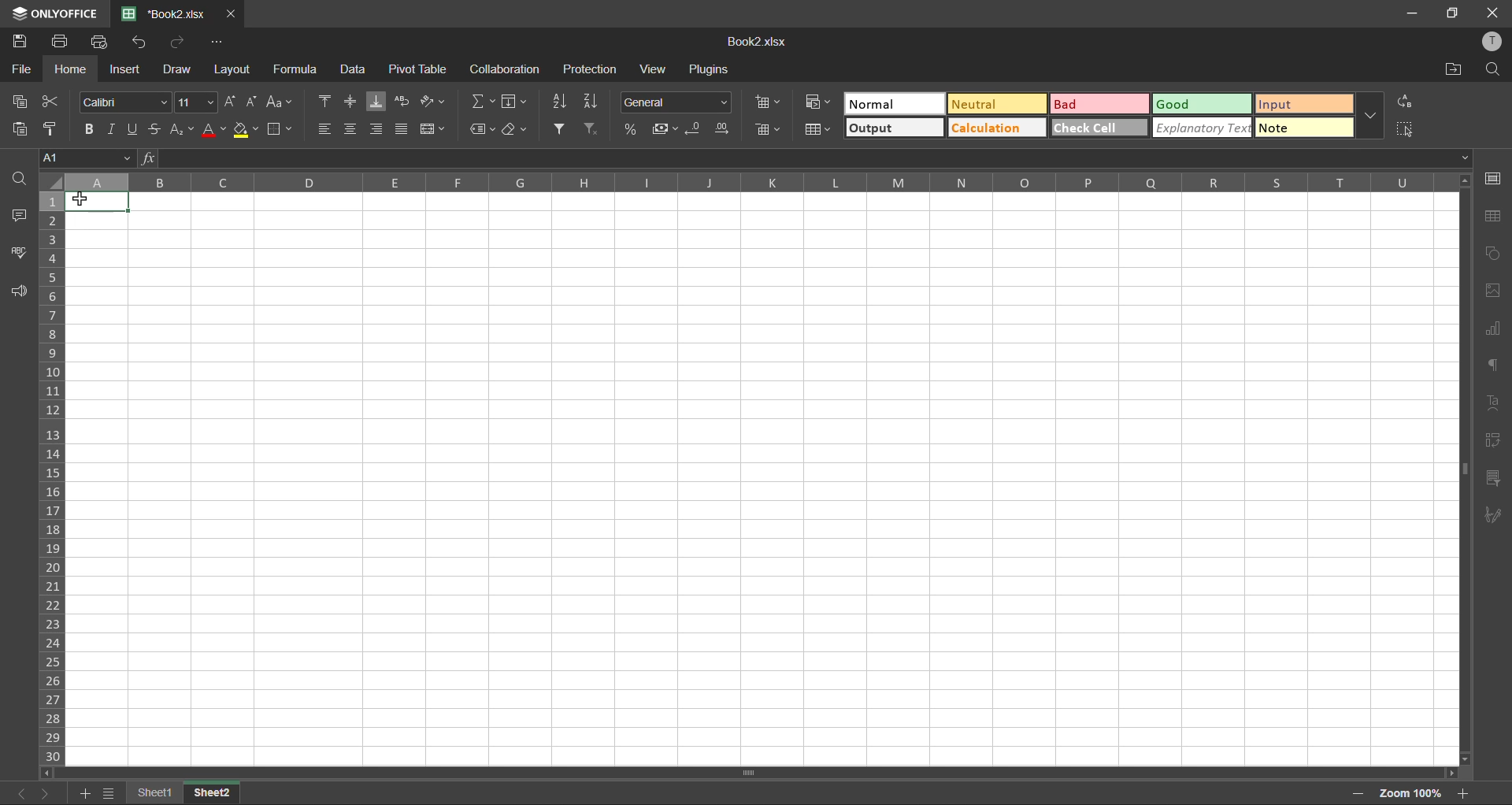 This screenshot has height=805, width=1512. What do you see at coordinates (677, 103) in the screenshot?
I see `number format` at bounding box center [677, 103].